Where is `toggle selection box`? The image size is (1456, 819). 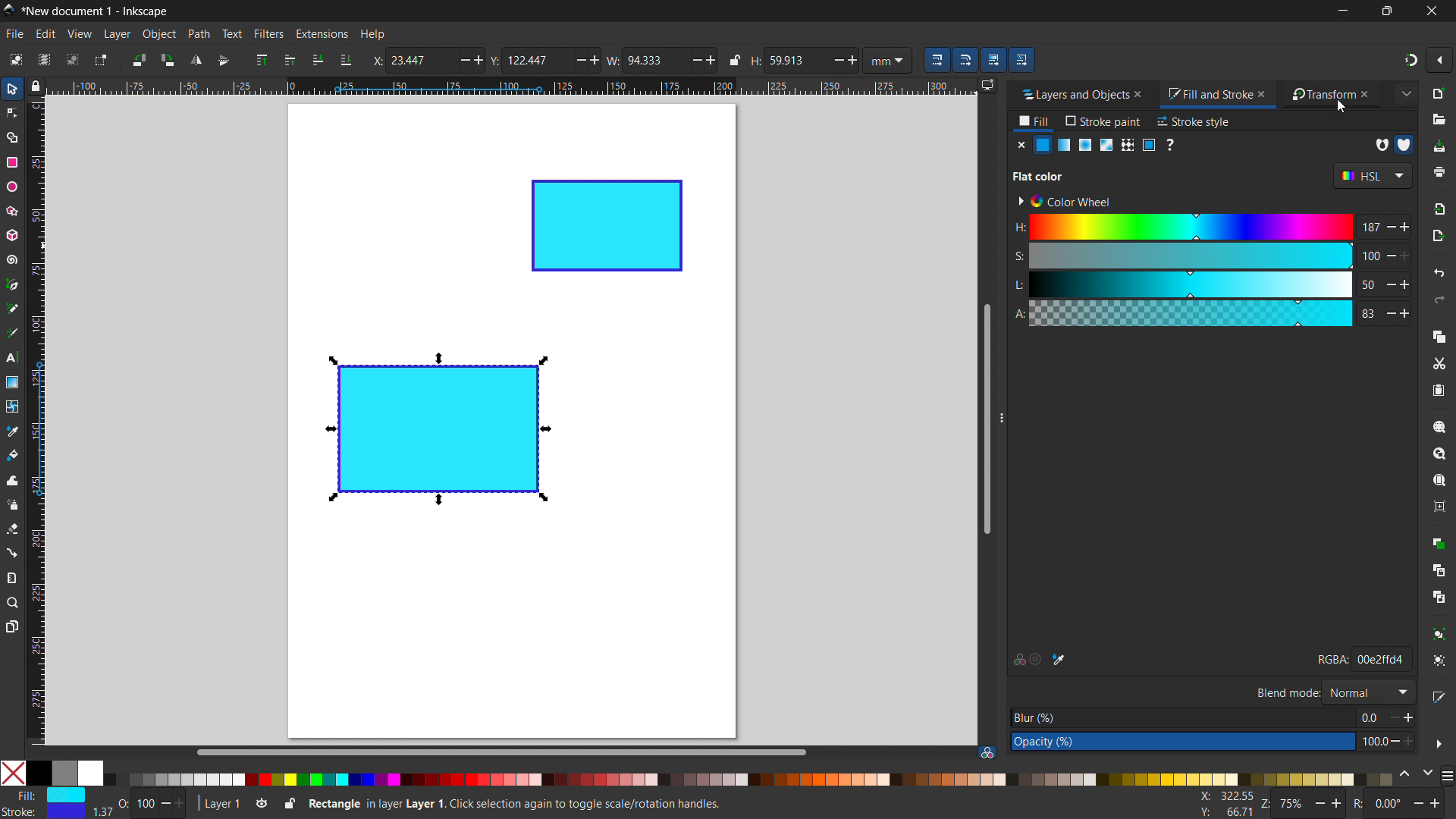 toggle selection box is located at coordinates (99, 61).